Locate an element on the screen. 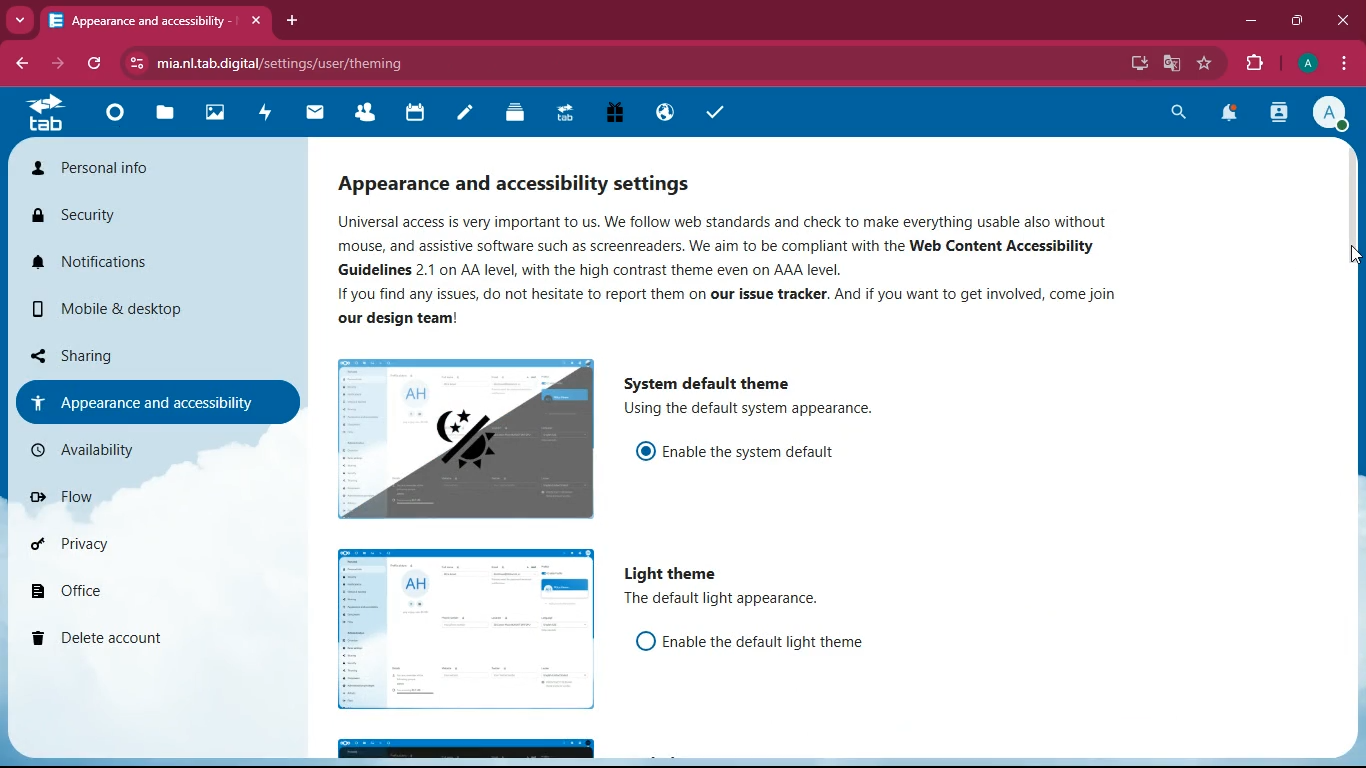  back is located at coordinates (21, 65).